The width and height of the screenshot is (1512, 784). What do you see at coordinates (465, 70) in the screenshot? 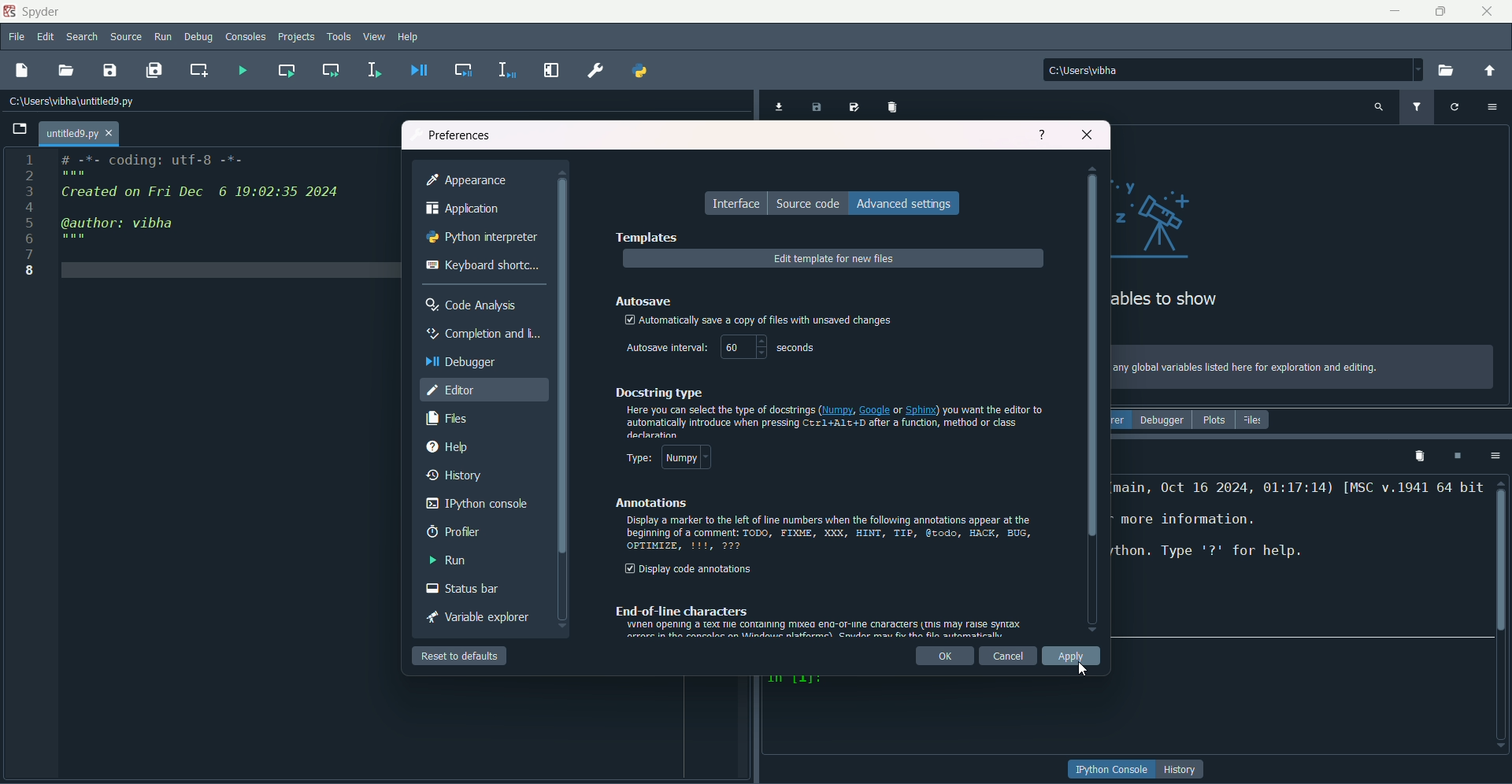
I see `debug cell` at bounding box center [465, 70].